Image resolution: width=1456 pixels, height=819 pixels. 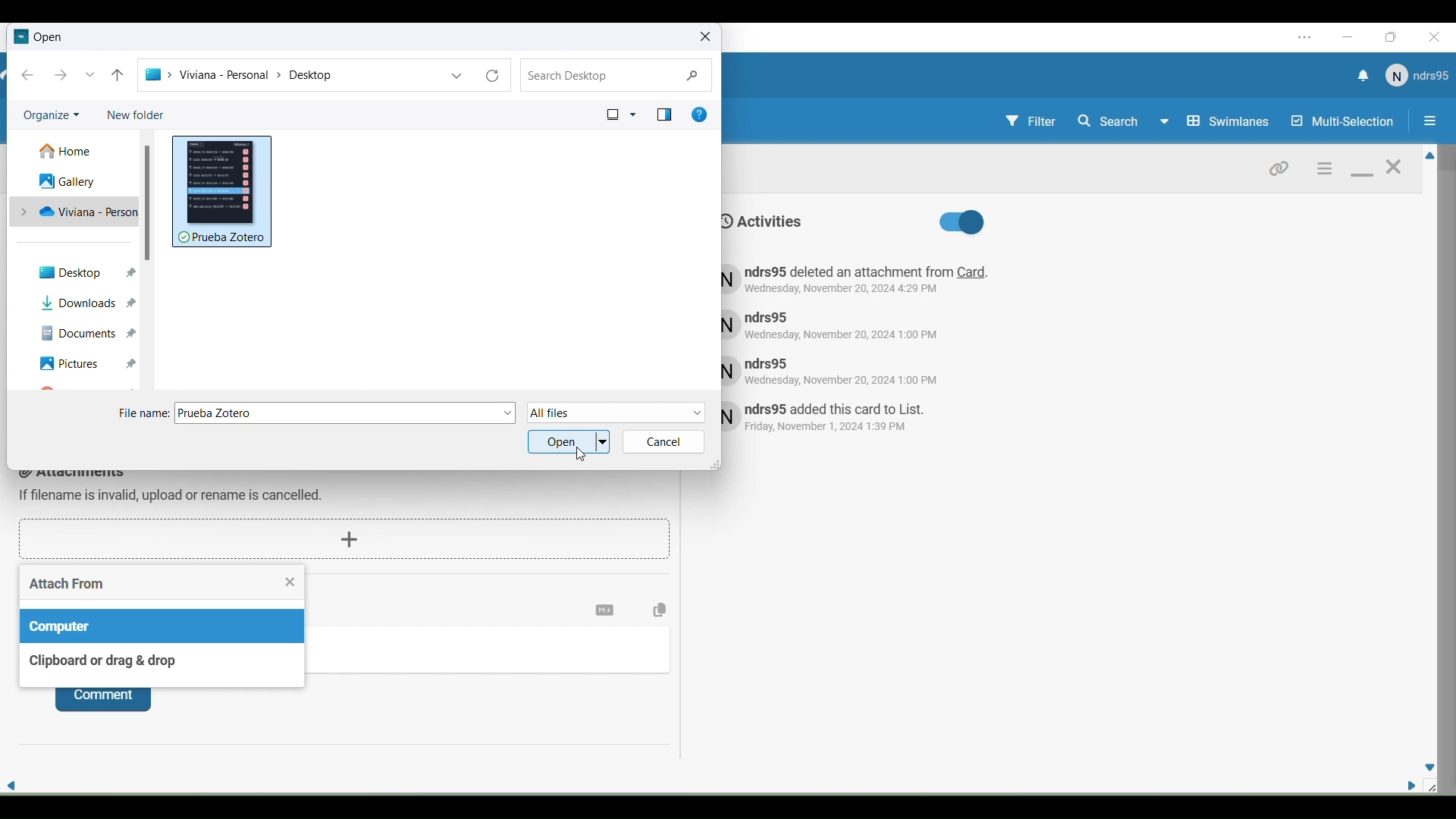 What do you see at coordinates (661, 610) in the screenshot?
I see `Copy` at bounding box center [661, 610].